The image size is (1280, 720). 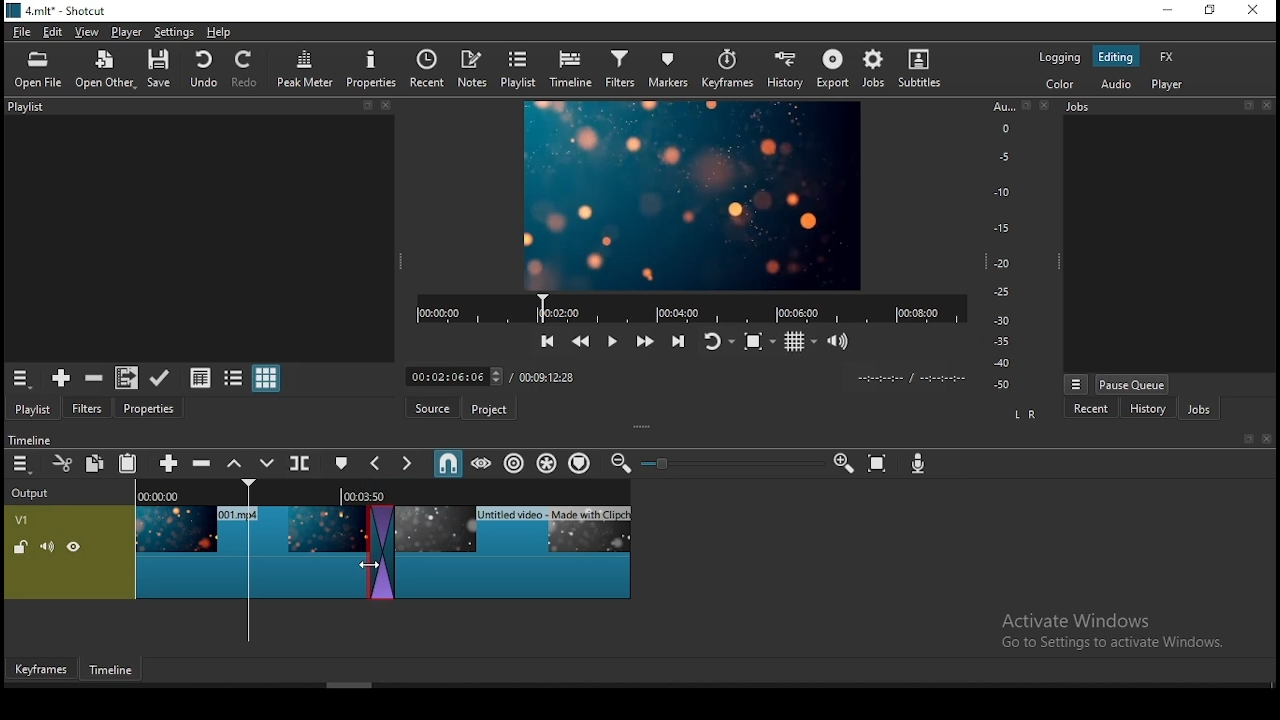 What do you see at coordinates (1007, 243) in the screenshot?
I see `scale` at bounding box center [1007, 243].